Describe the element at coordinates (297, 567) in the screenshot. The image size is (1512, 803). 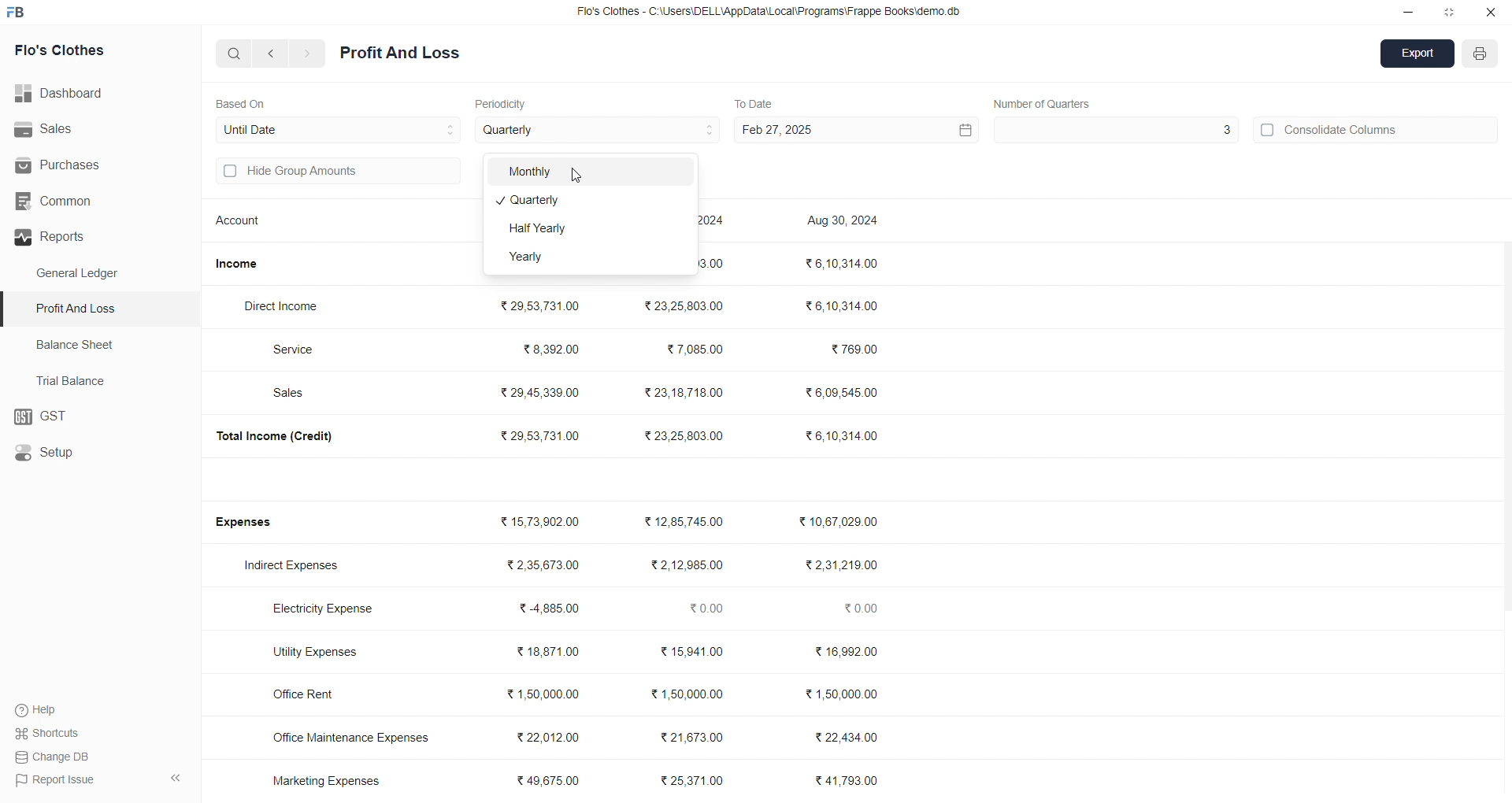
I see `Indirect Expenses` at that location.